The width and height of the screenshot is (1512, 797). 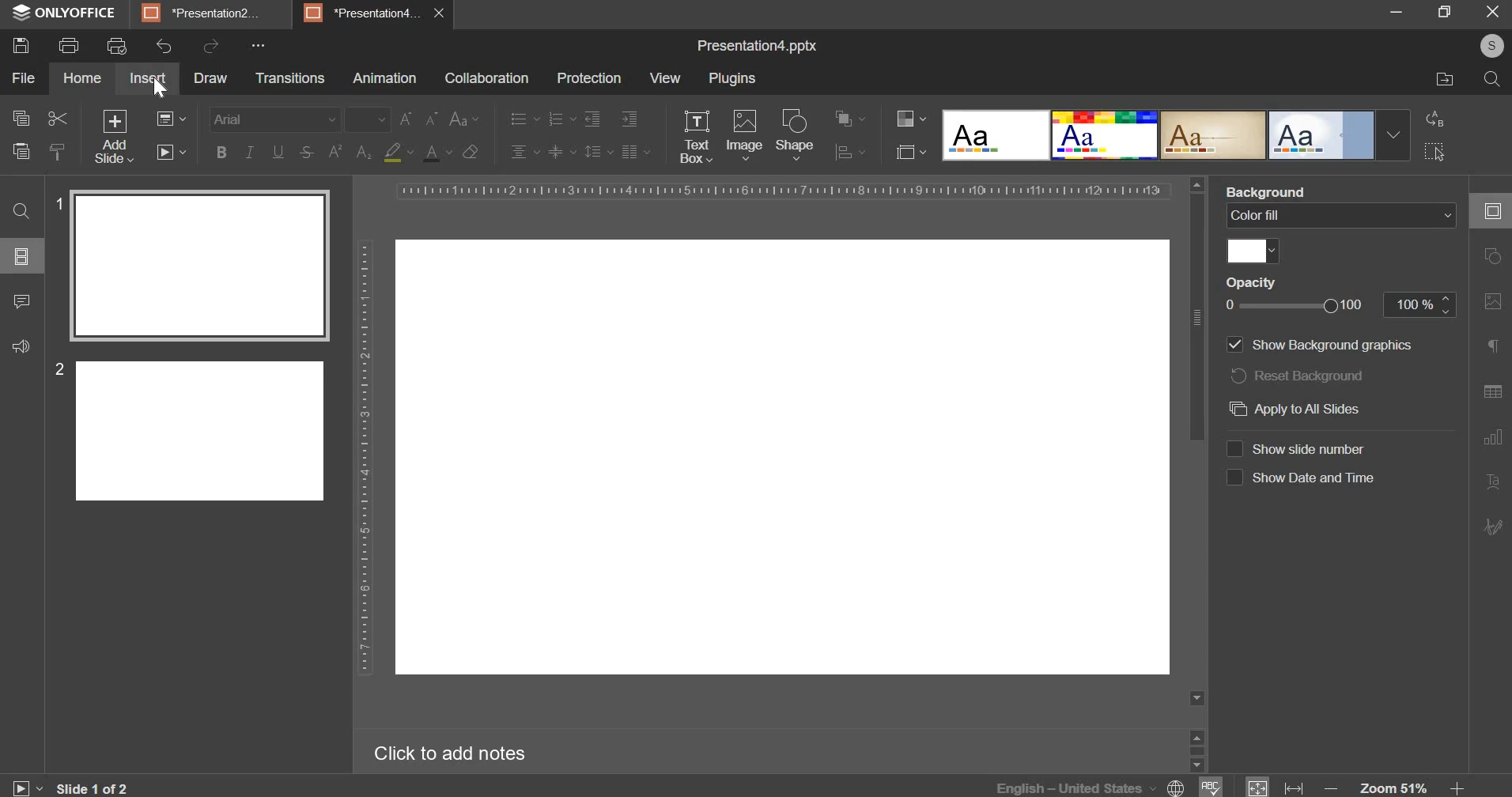 What do you see at coordinates (909, 150) in the screenshot?
I see `select slide size` at bounding box center [909, 150].